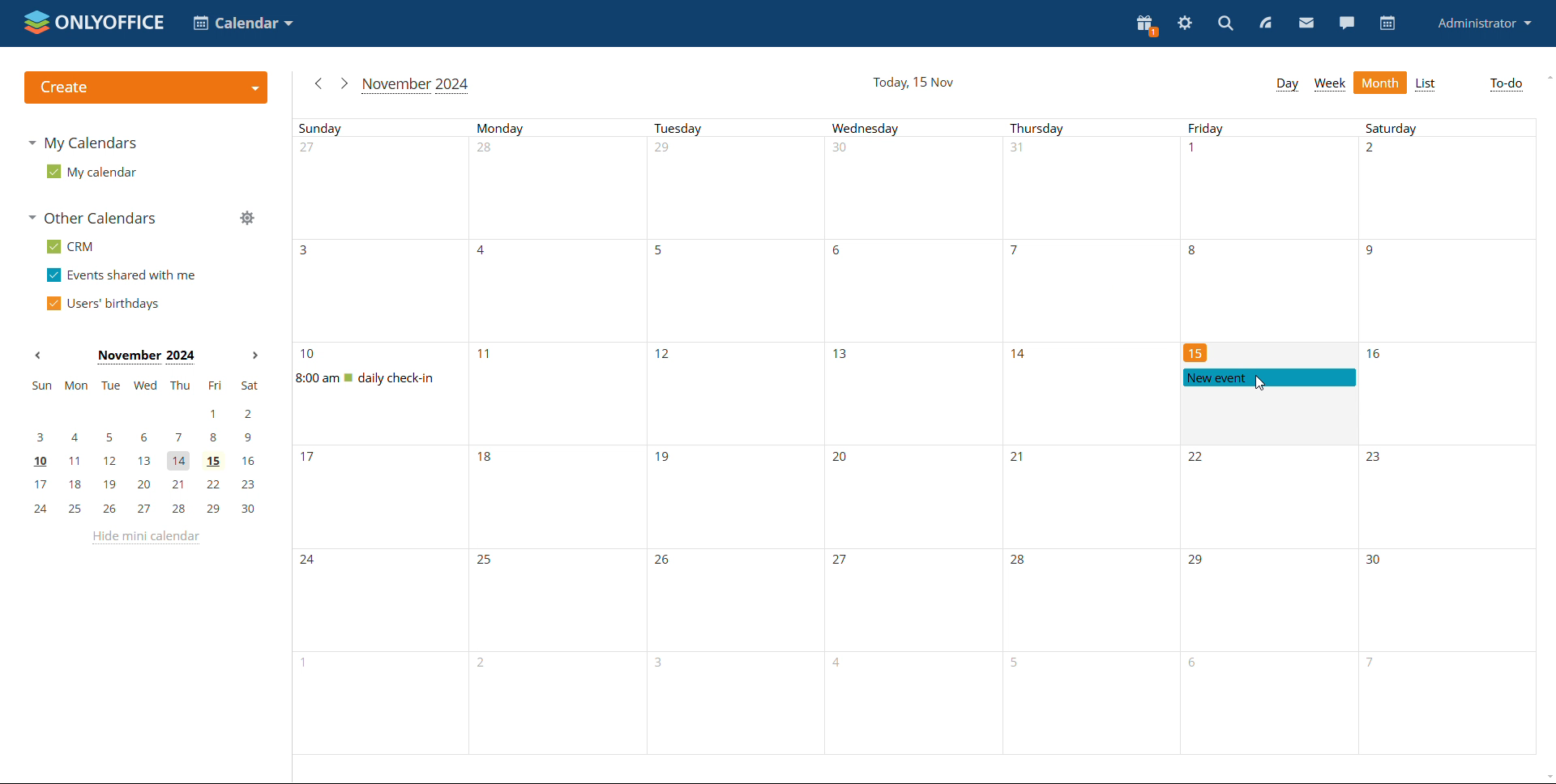 The height and width of the screenshot is (784, 1556). What do you see at coordinates (253, 355) in the screenshot?
I see `next month` at bounding box center [253, 355].